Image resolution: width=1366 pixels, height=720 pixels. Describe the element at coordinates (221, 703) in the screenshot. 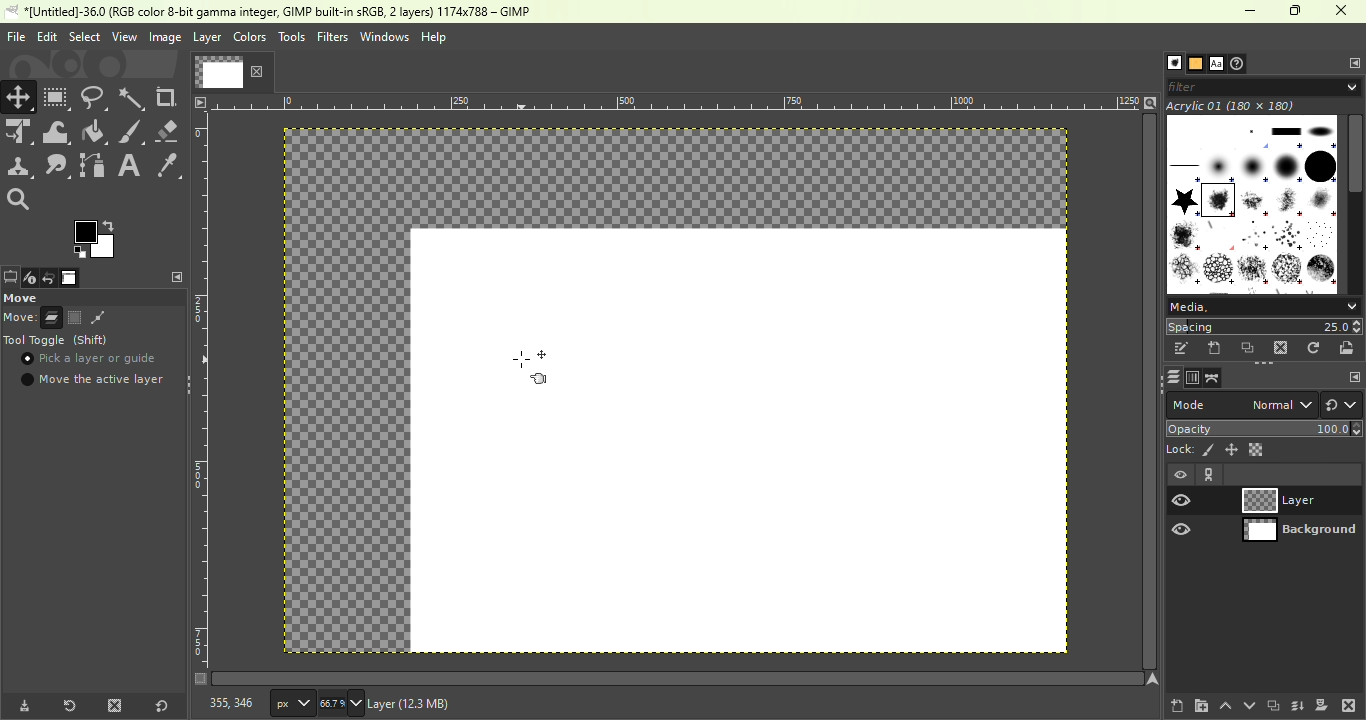

I see `355346` at that location.